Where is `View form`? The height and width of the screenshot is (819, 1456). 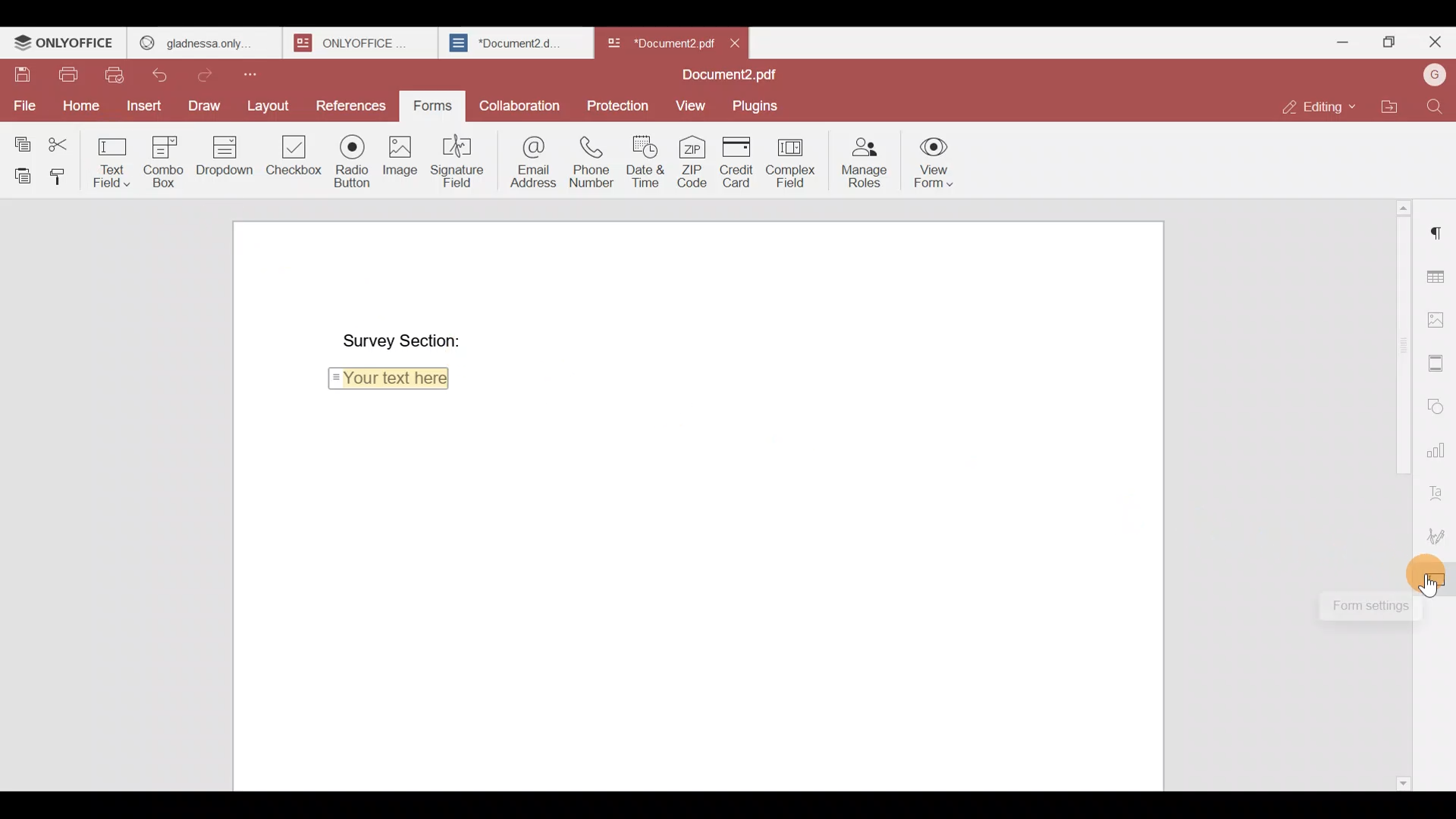
View form is located at coordinates (931, 162).